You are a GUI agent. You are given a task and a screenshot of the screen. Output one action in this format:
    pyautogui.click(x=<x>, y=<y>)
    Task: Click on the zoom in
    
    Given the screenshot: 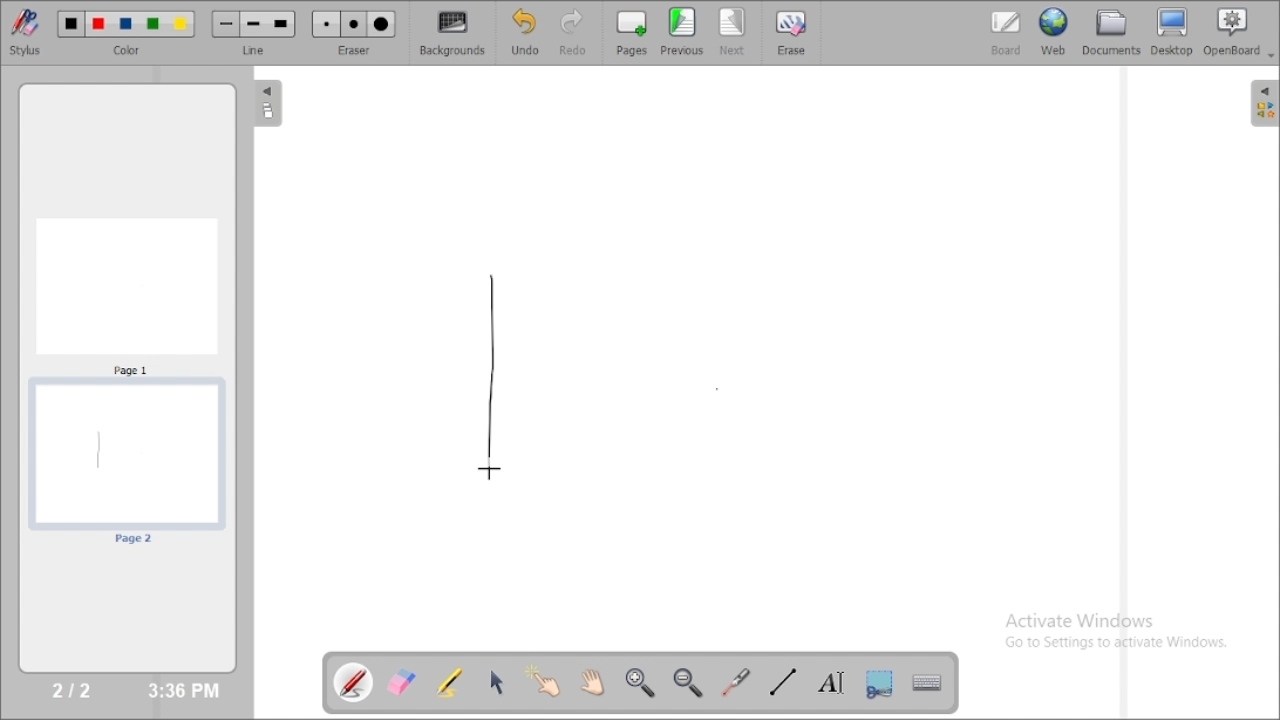 What is the action you would take?
    pyautogui.click(x=639, y=683)
    